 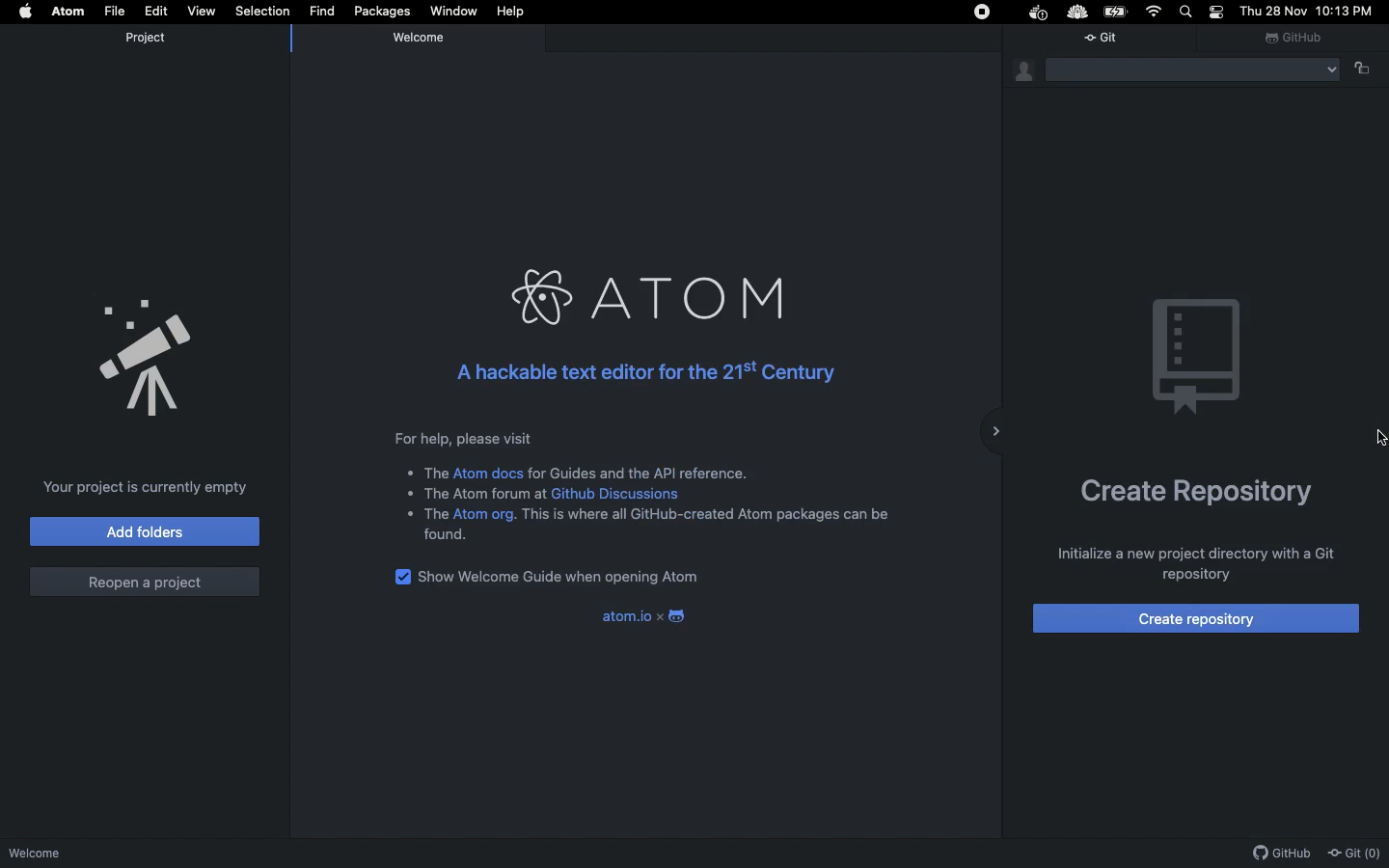 What do you see at coordinates (146, 487) in the screenshot?
I see `Your project is currently empty` at bounding box center [146, 487].